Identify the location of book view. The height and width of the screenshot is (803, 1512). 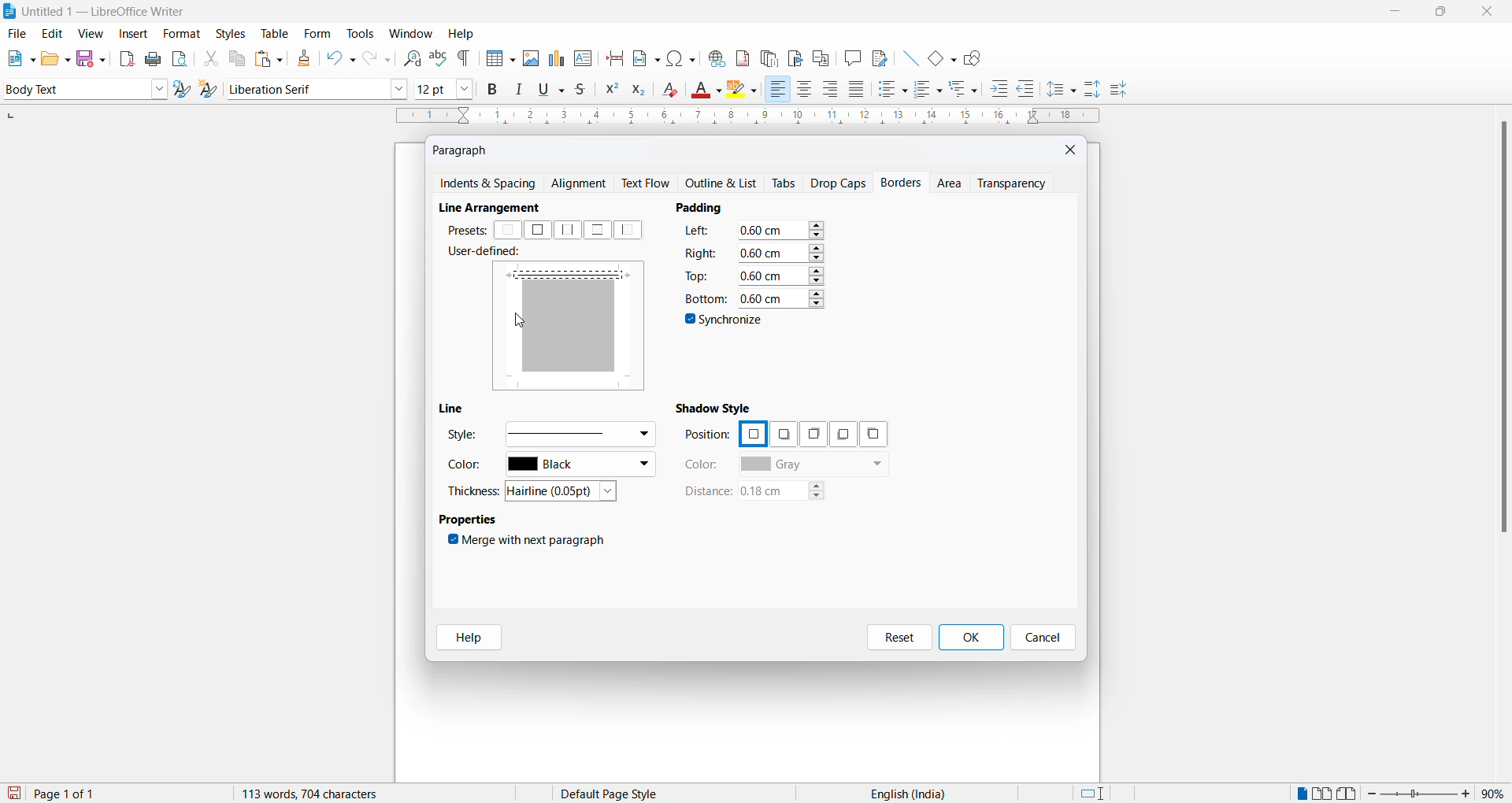
(1351, 794).